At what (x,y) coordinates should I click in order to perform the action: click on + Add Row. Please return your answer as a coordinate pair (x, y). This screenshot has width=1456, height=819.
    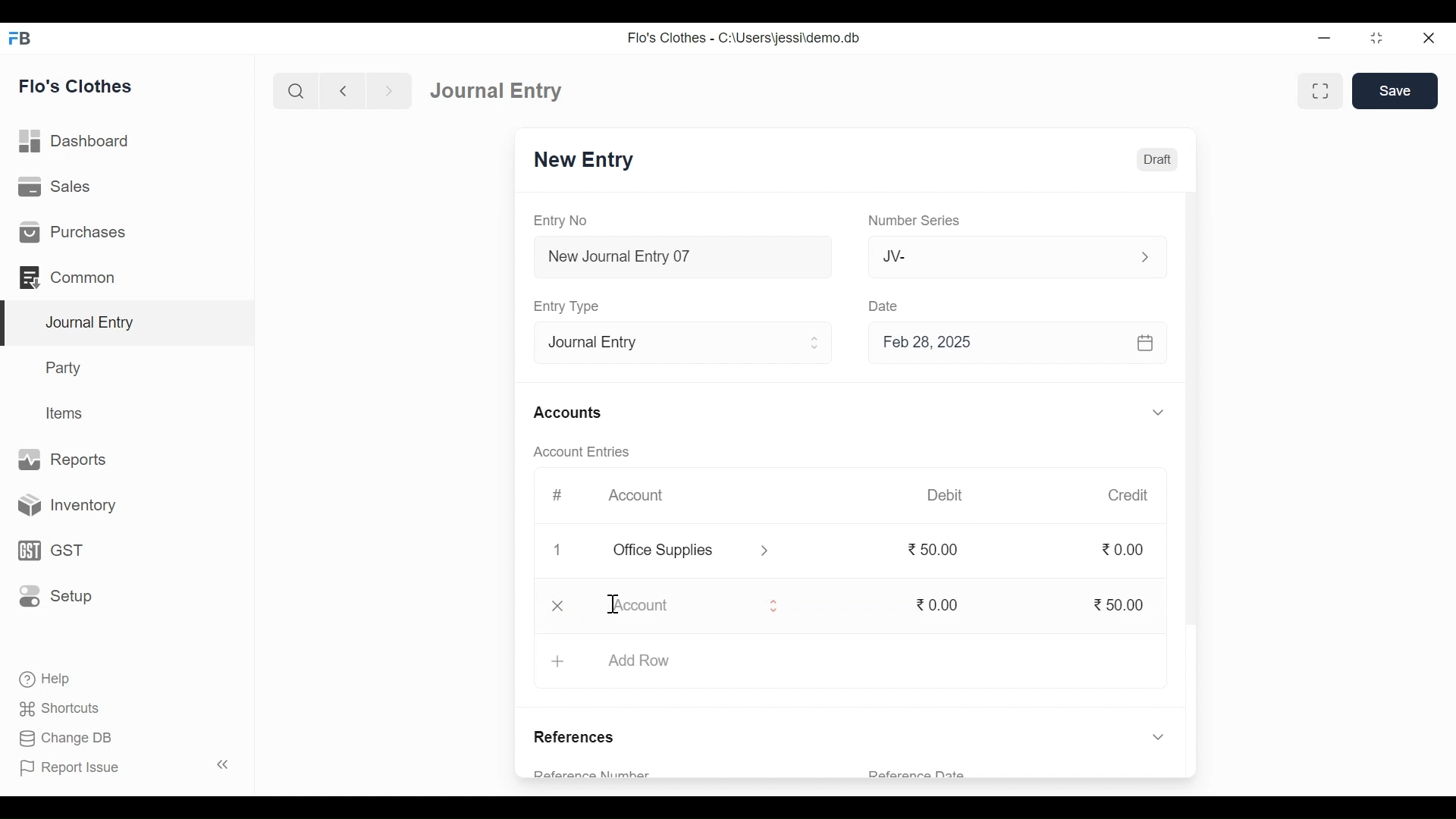
    Looking at the image, I should click on (633, 661).